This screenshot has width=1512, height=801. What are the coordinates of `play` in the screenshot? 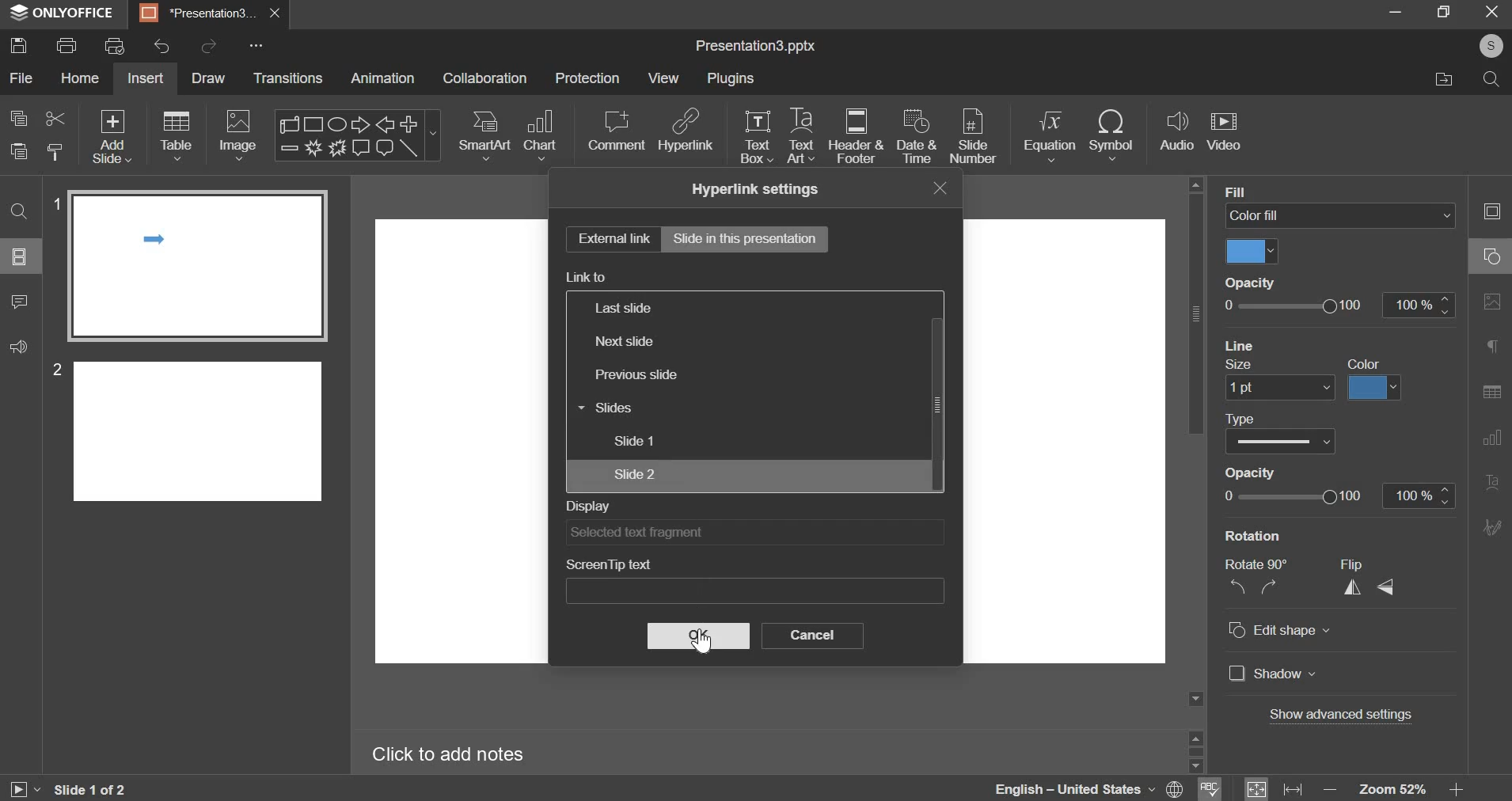 It's located at (24, 790).